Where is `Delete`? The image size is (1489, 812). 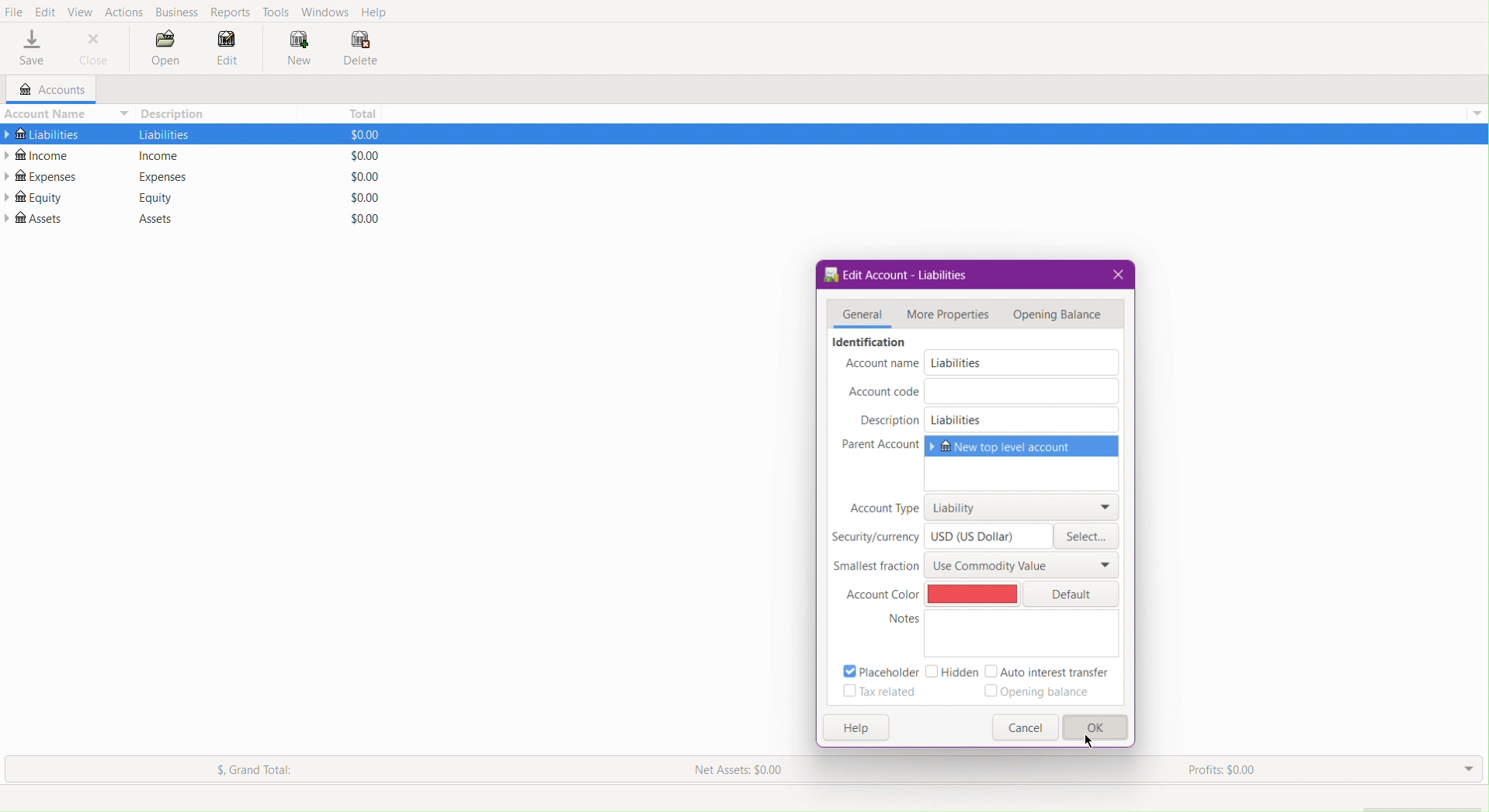 Delete is located at coordinates (360, 50).